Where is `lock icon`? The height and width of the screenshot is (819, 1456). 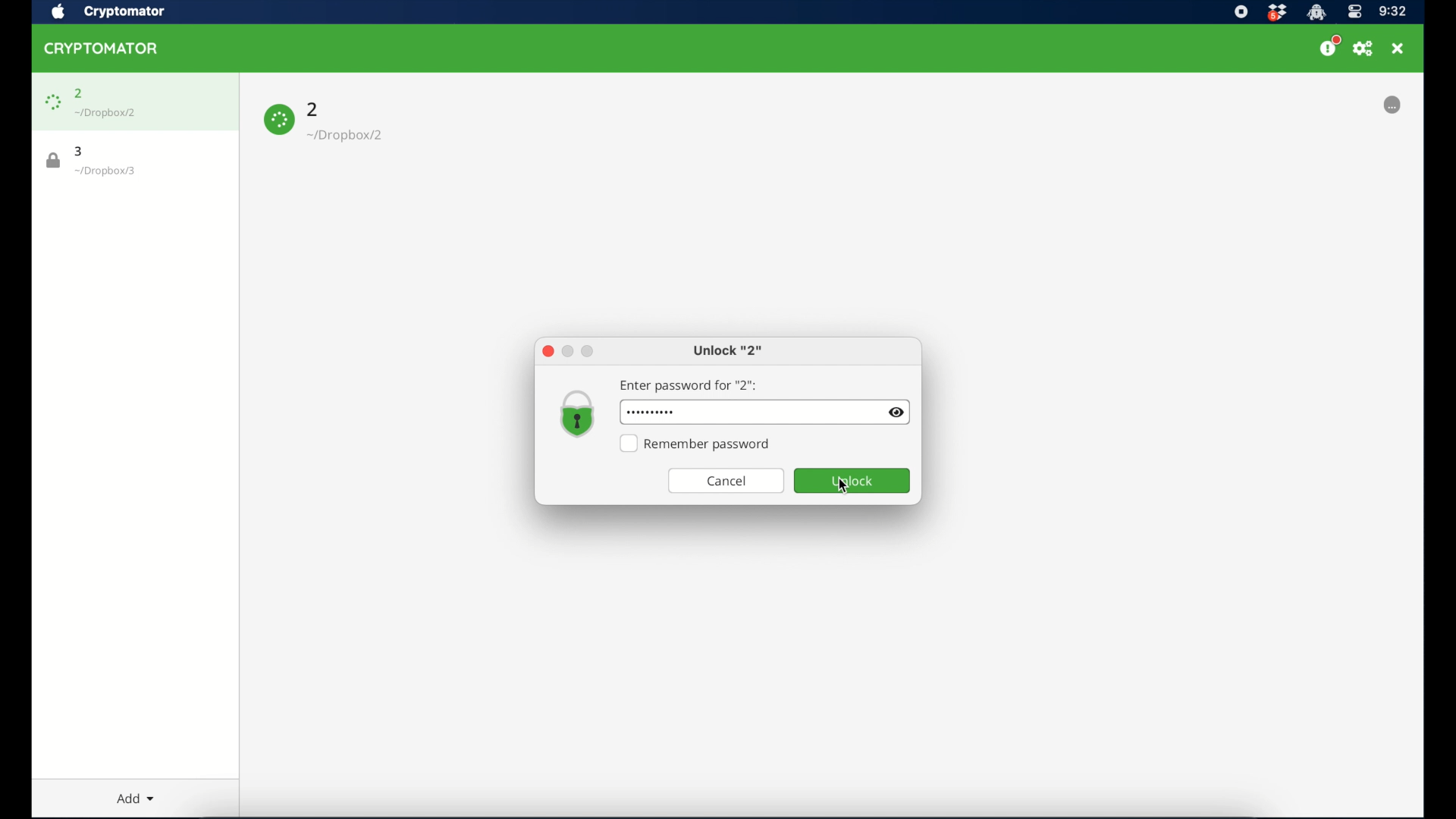
lock icon is located at coordinates (280, 119).